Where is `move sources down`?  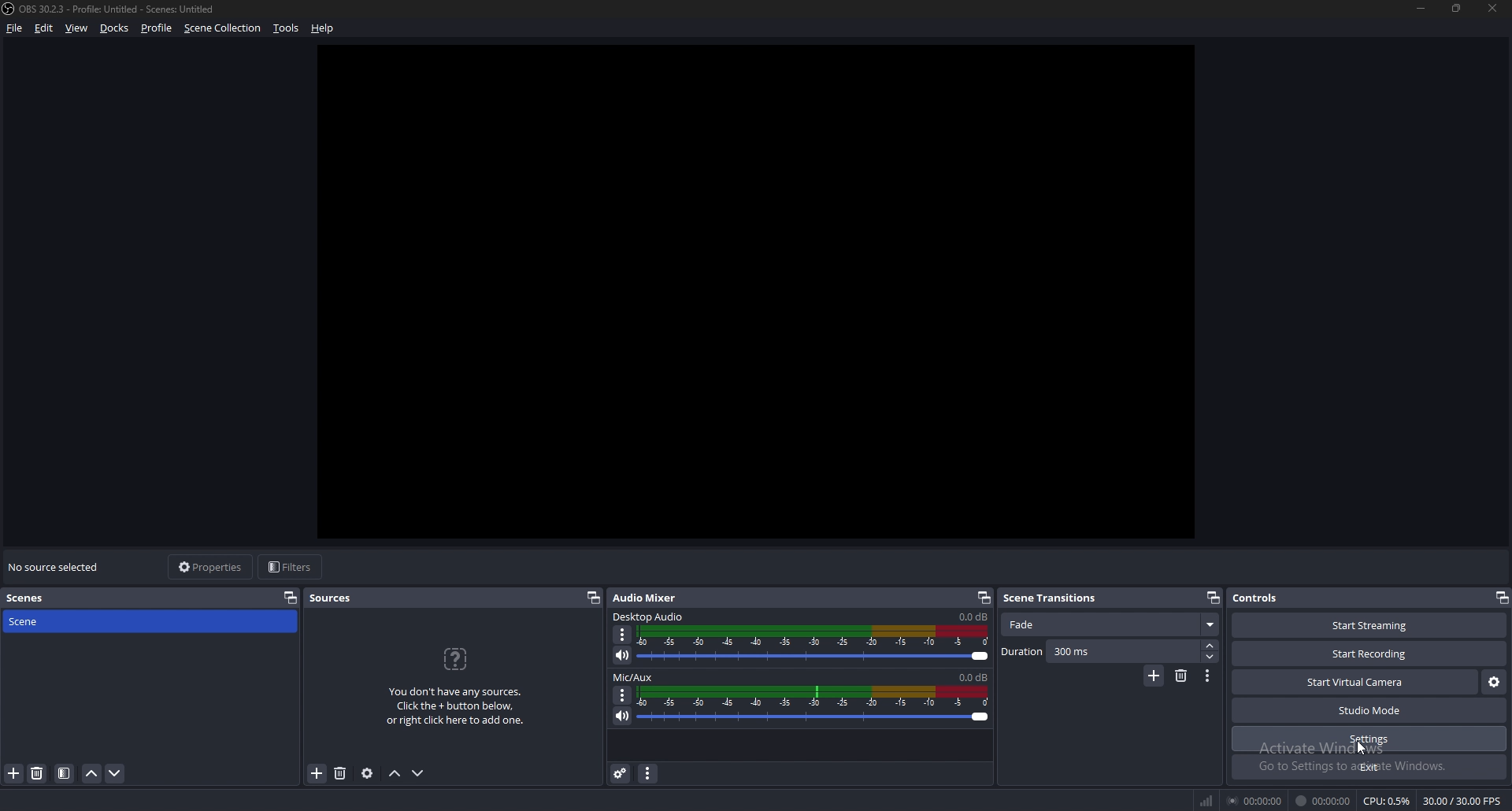 move sources down is located at coordinates (419, 773).